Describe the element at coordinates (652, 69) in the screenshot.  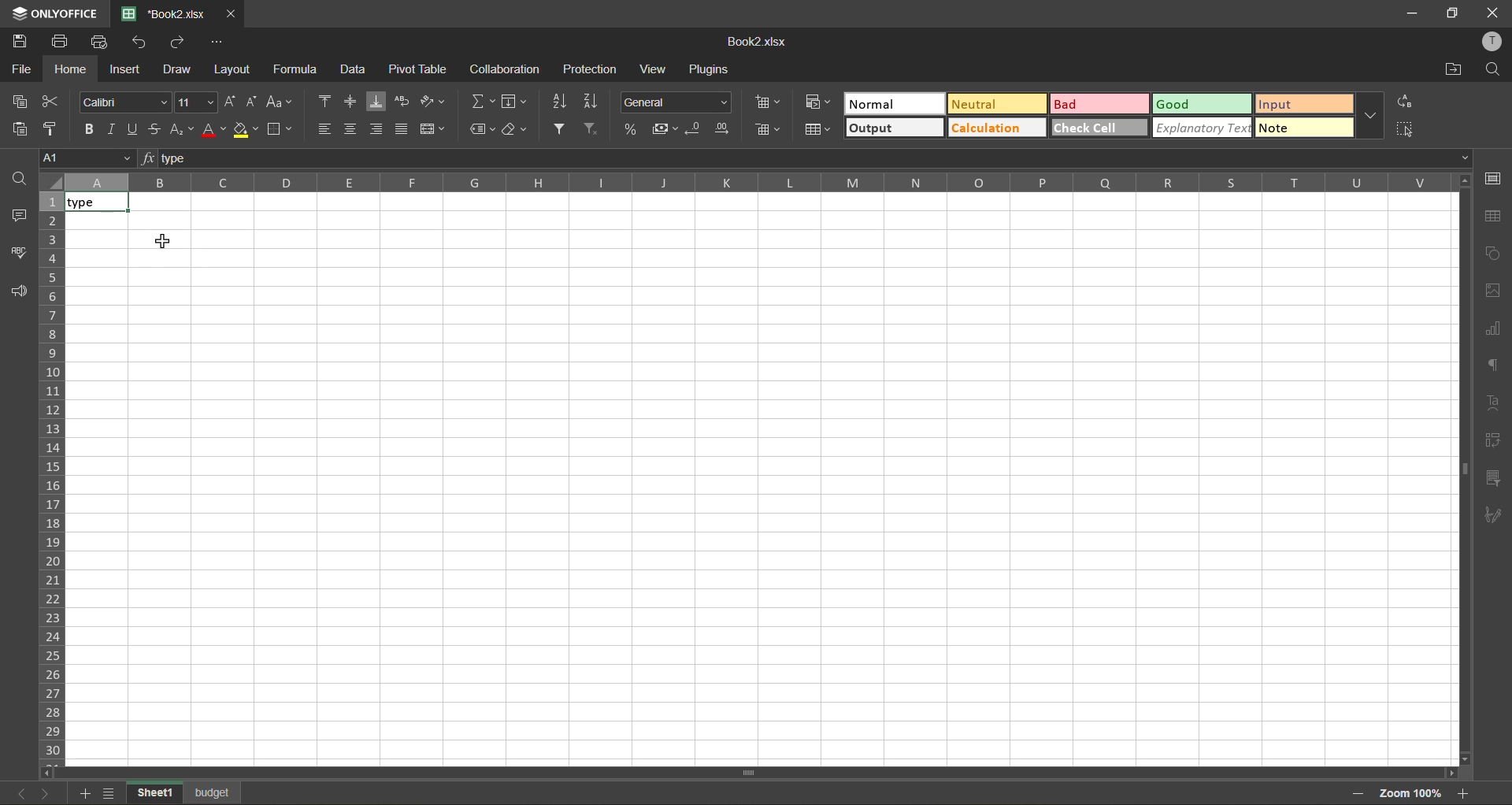
I see `view` at that location.